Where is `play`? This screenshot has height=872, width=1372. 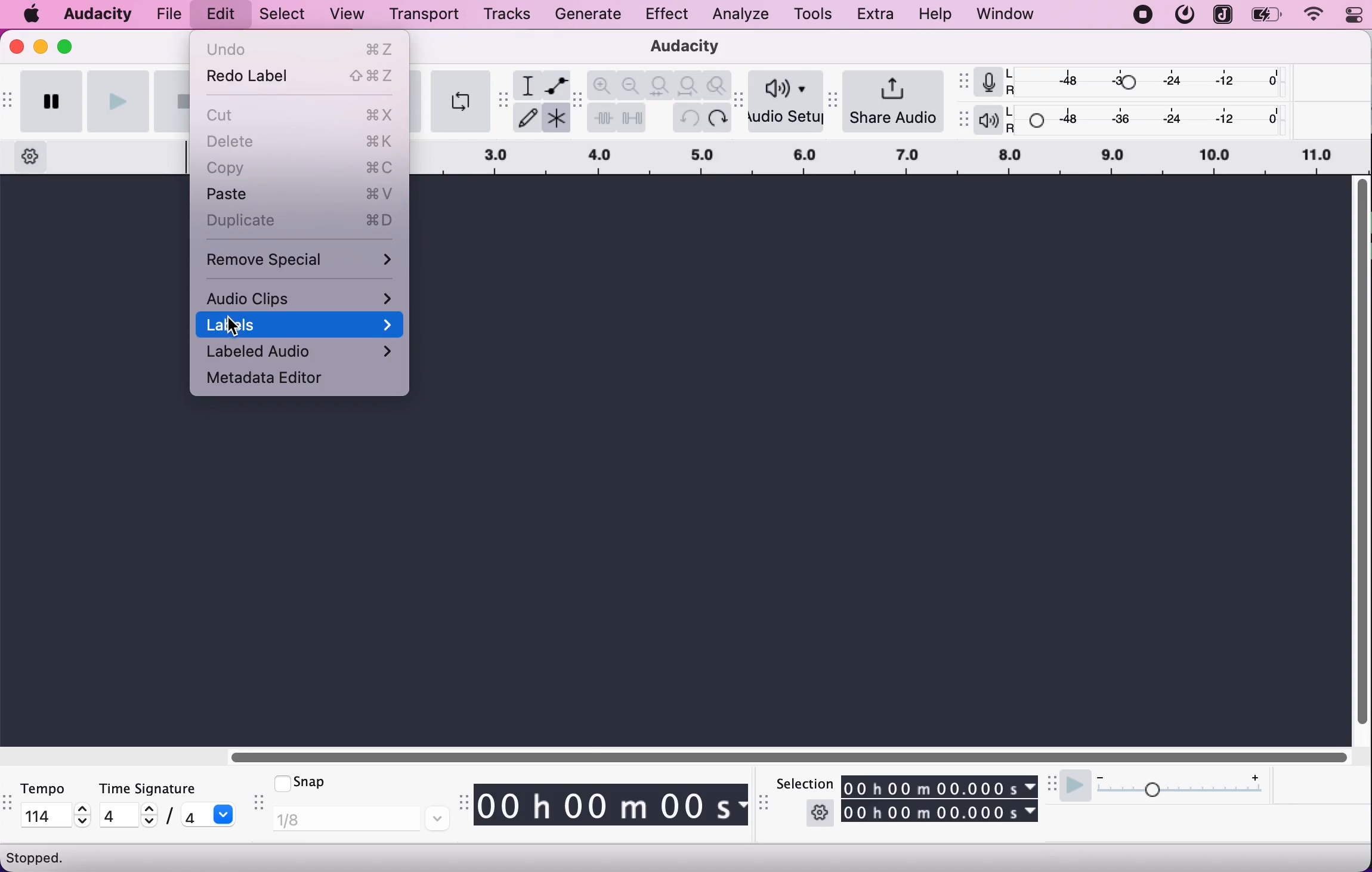 play is located at coordinates (118, 100).